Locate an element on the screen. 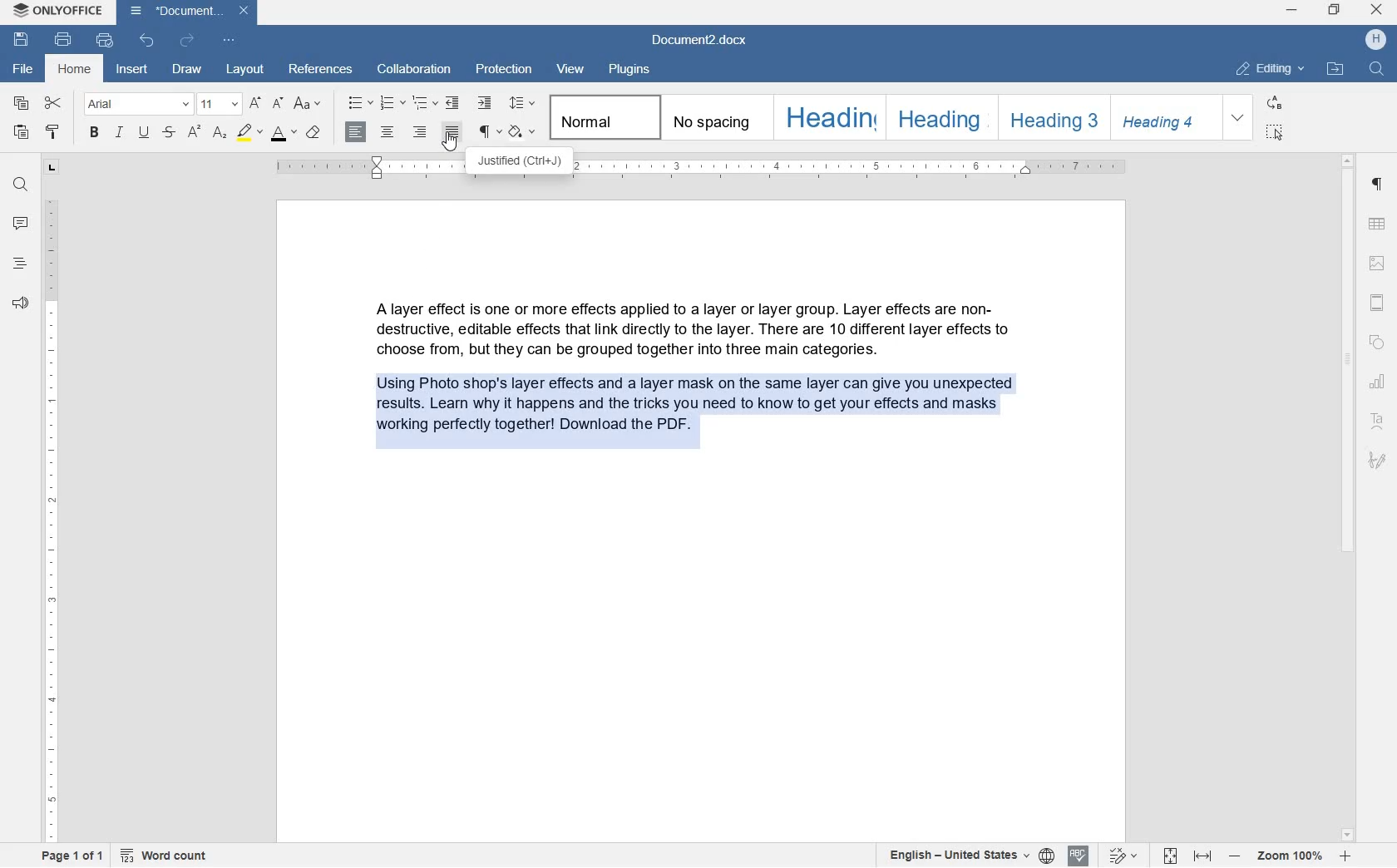 The image size is (1397, 868). CHANGE CASE is located at coordinates (310, 104).